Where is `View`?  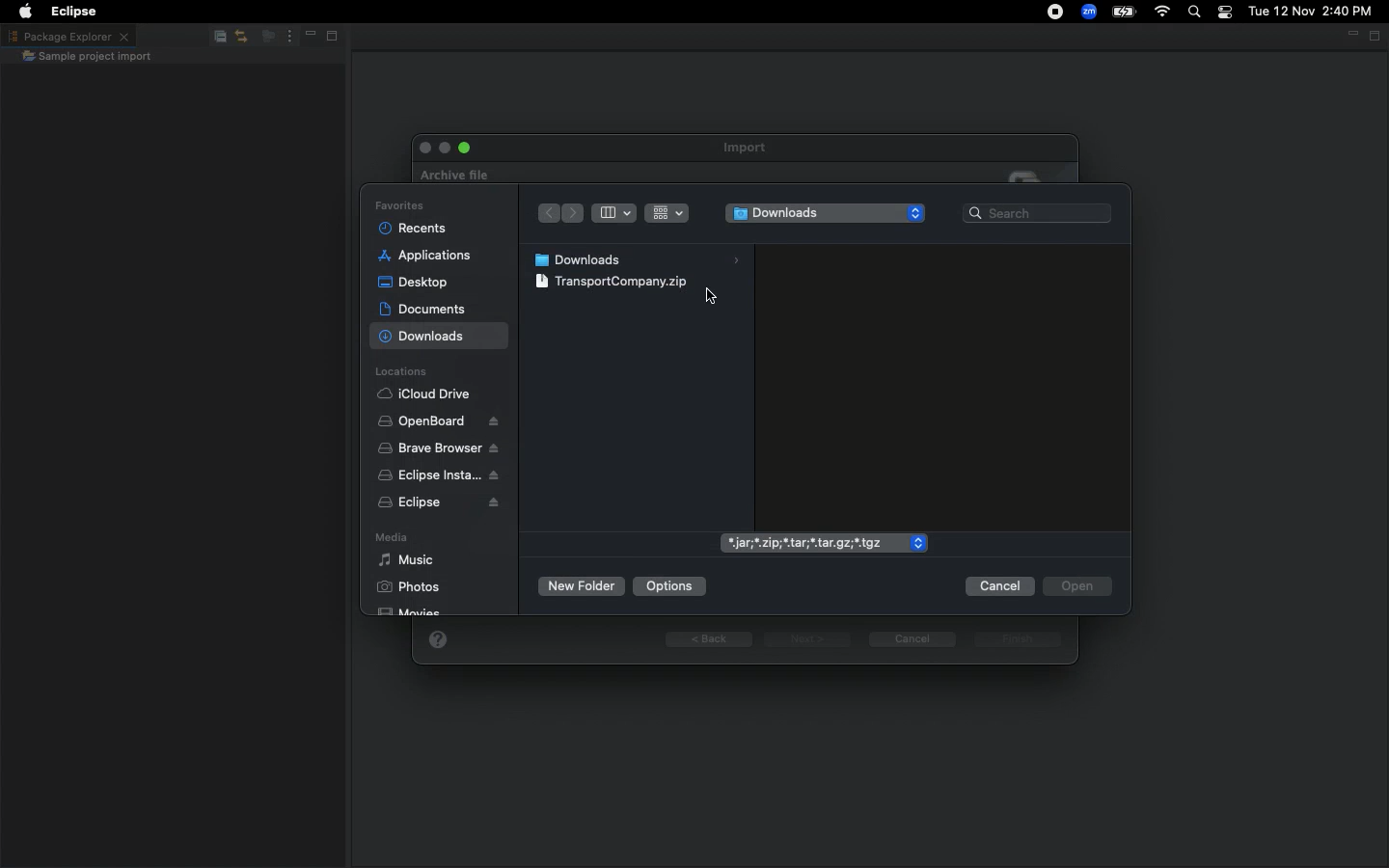 View is located at coordinates (636, 211).